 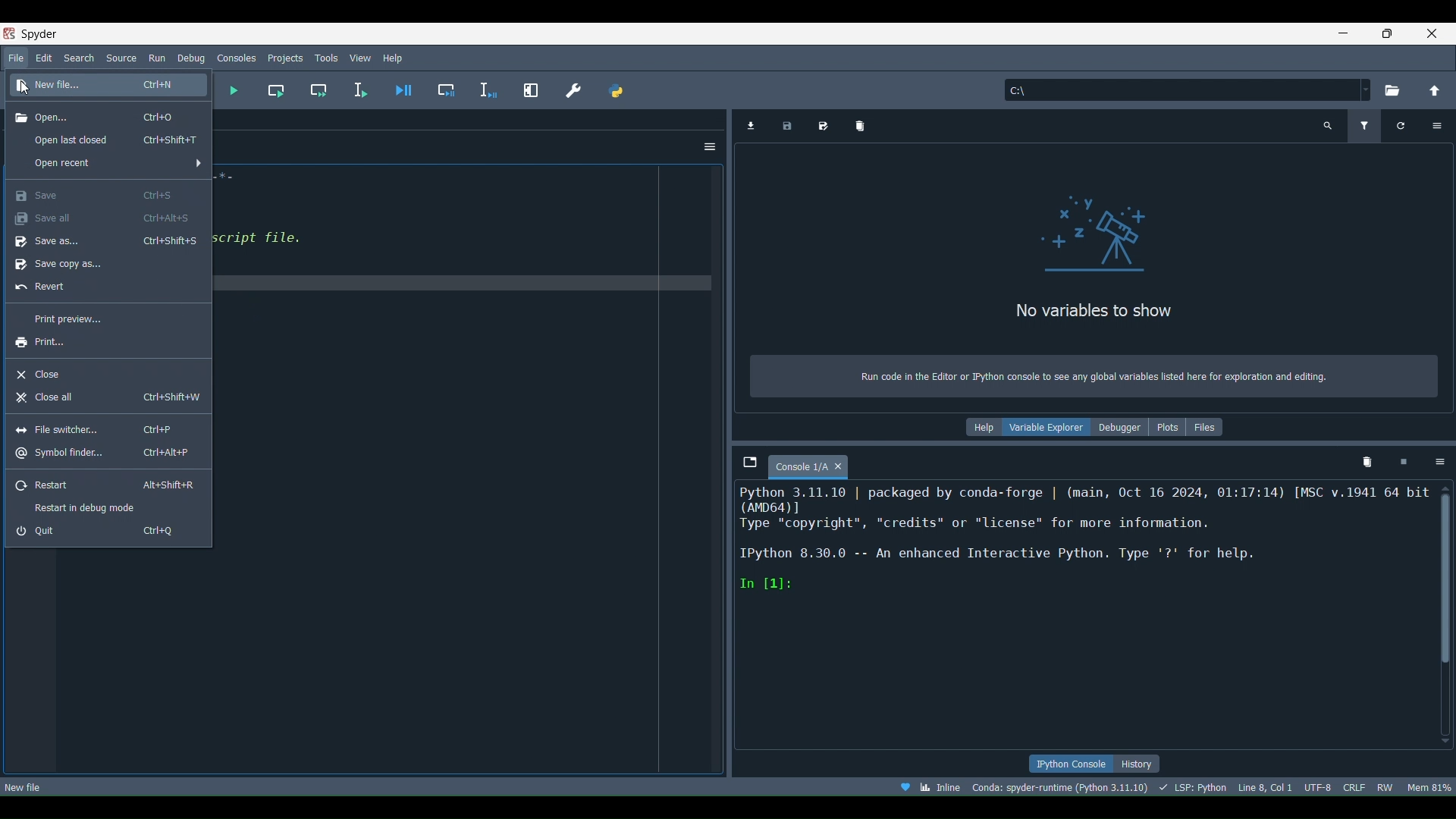 I want to click on Restart, so click(x=105, y=482).